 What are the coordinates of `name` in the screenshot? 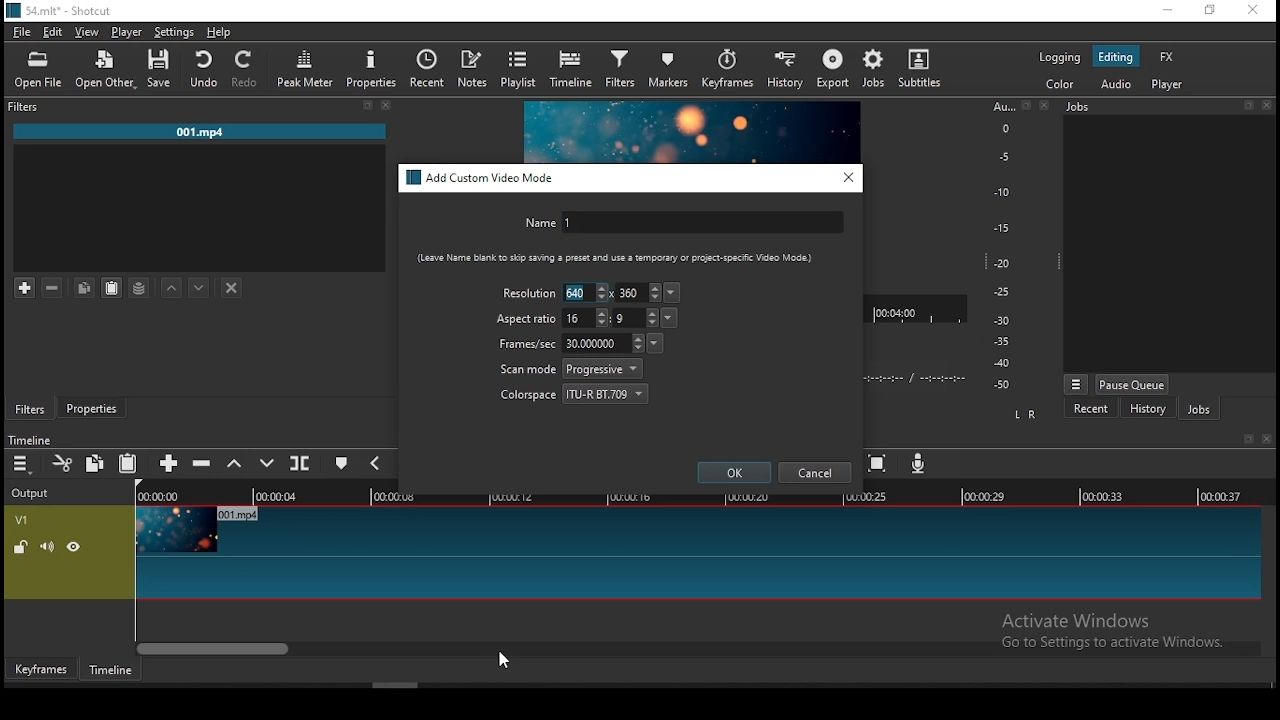 It's located at (681, 224).